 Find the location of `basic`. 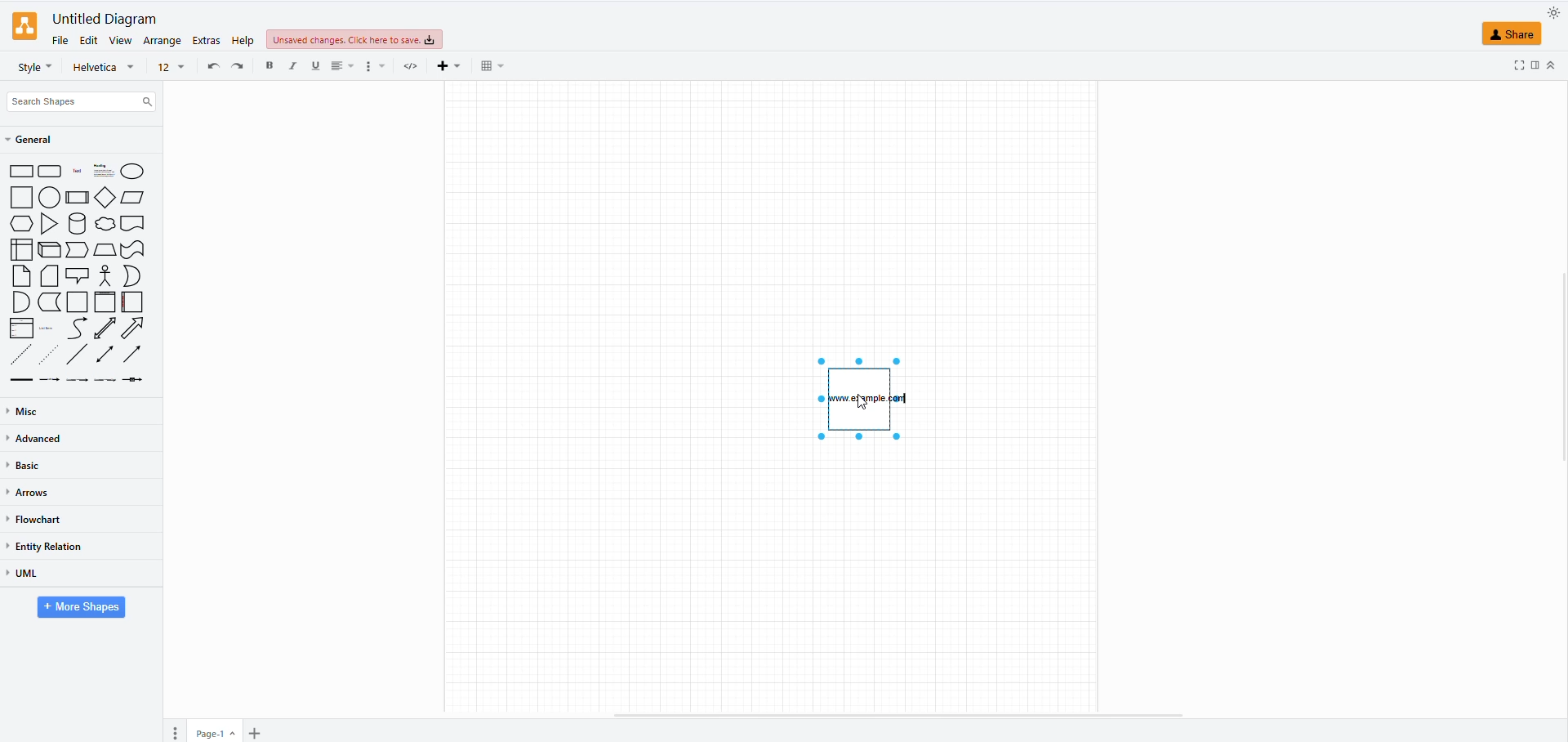

basic is located at coordinates (31, 467).